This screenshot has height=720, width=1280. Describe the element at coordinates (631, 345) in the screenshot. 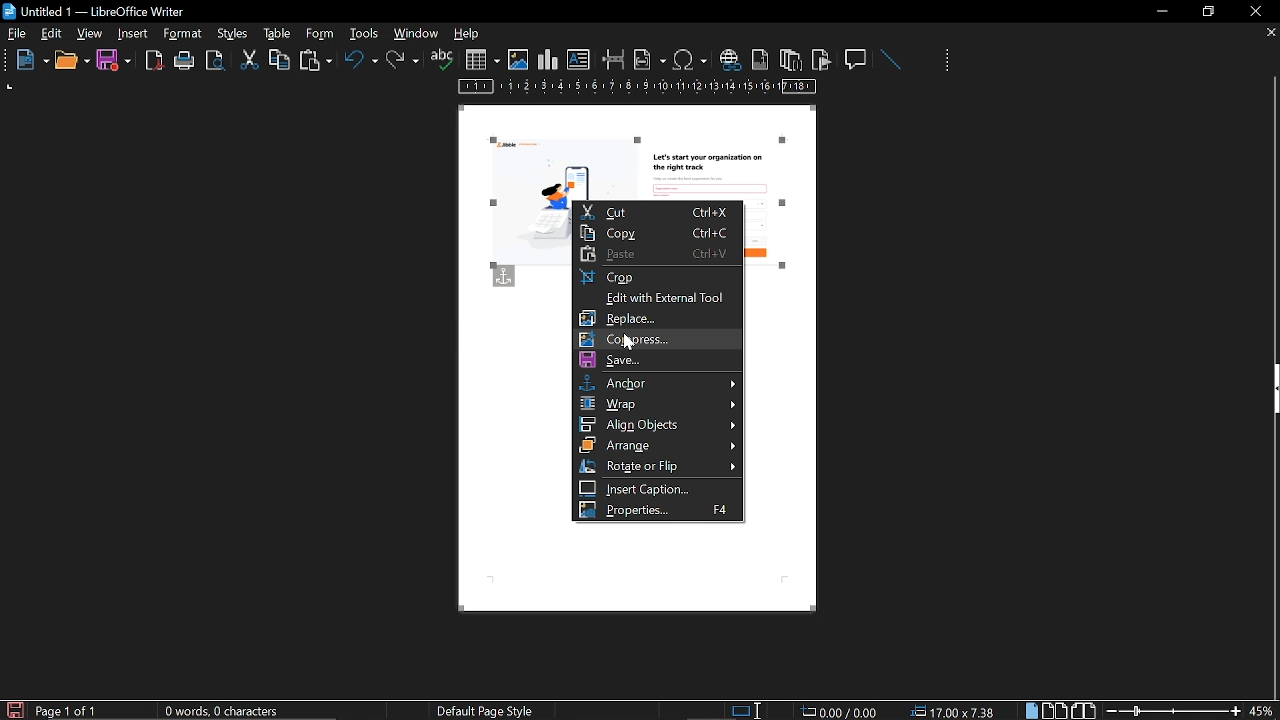

I see `Cursor` at that location.